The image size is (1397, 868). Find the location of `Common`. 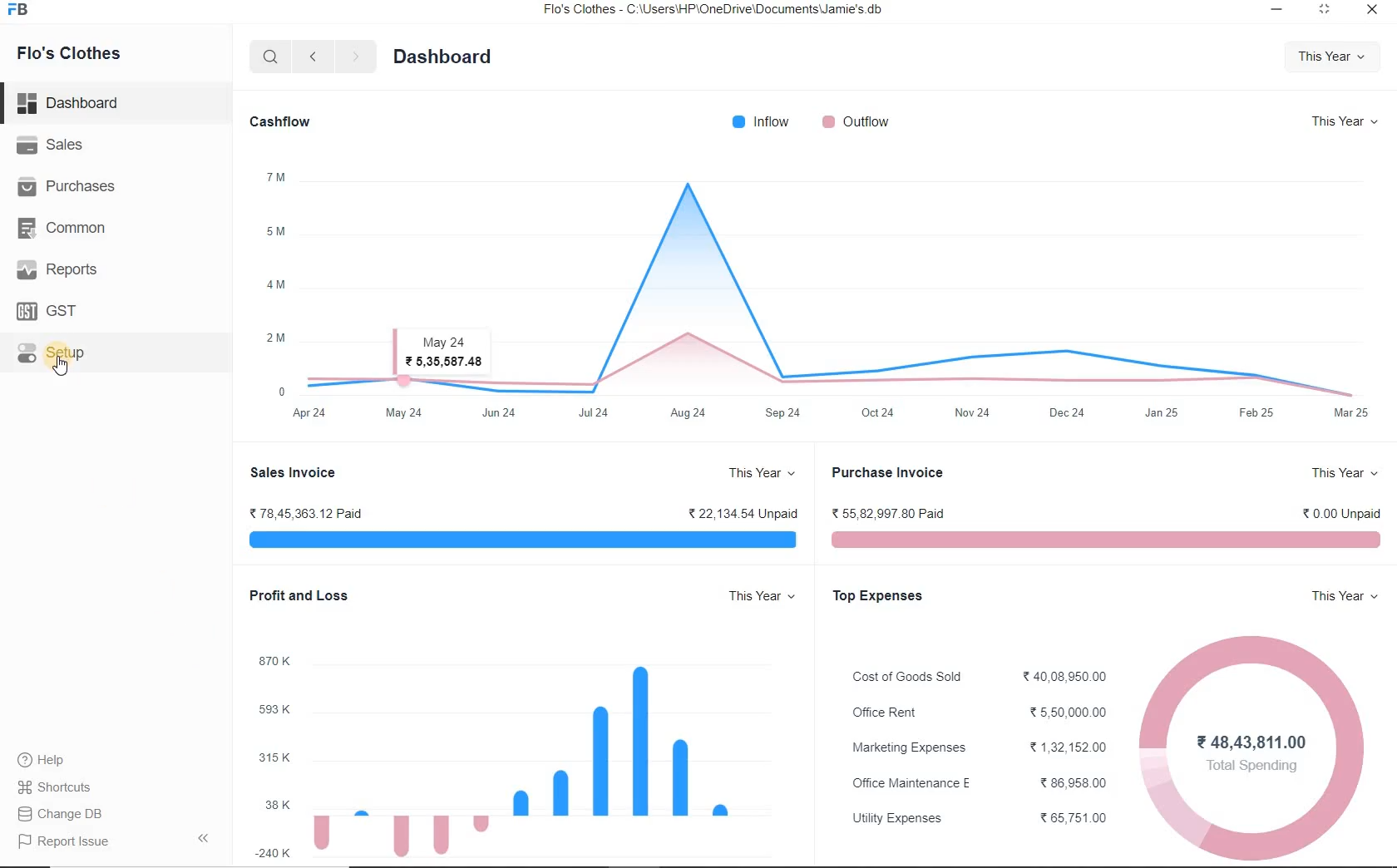

Common is located at coordinates (67, 227).